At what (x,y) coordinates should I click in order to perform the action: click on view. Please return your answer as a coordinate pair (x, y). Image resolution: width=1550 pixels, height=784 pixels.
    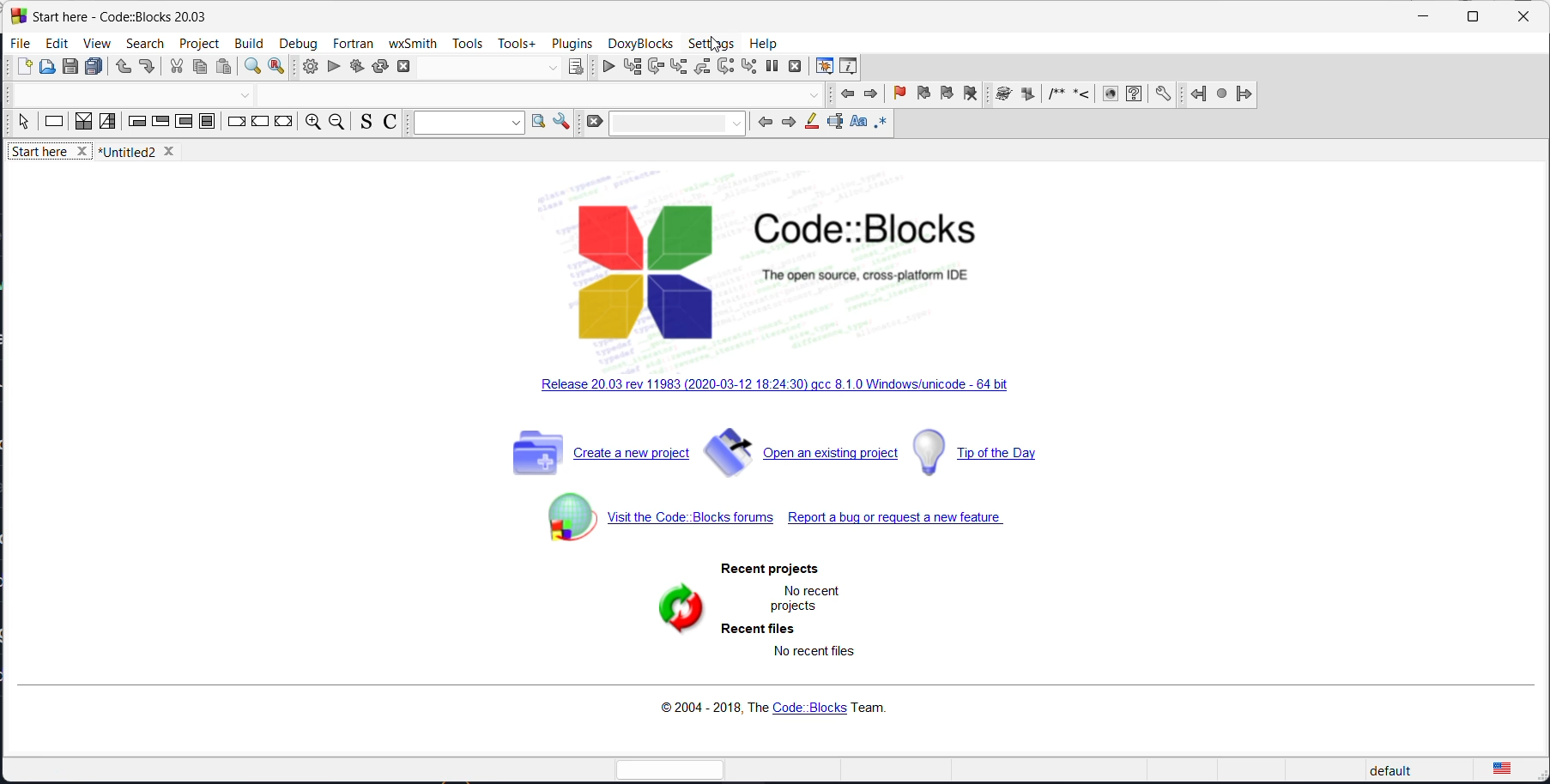
    Looking at the image, I should click on (94, 45).